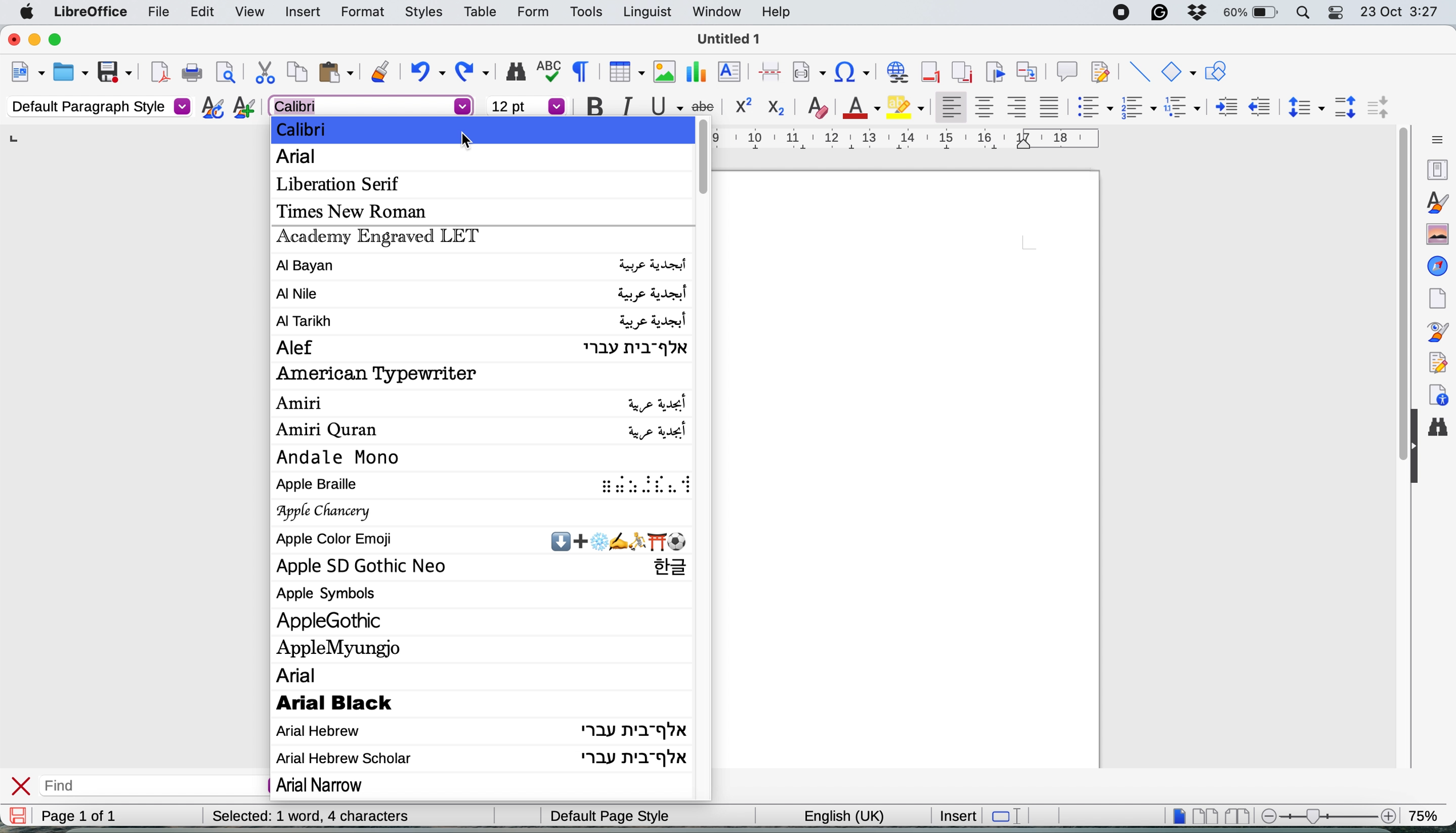 This screenshot has height=833, width=1456. What do you see at coordinates (1250, 14) in the screenshot?
I see `battery` at bounding box center [1250, 14].